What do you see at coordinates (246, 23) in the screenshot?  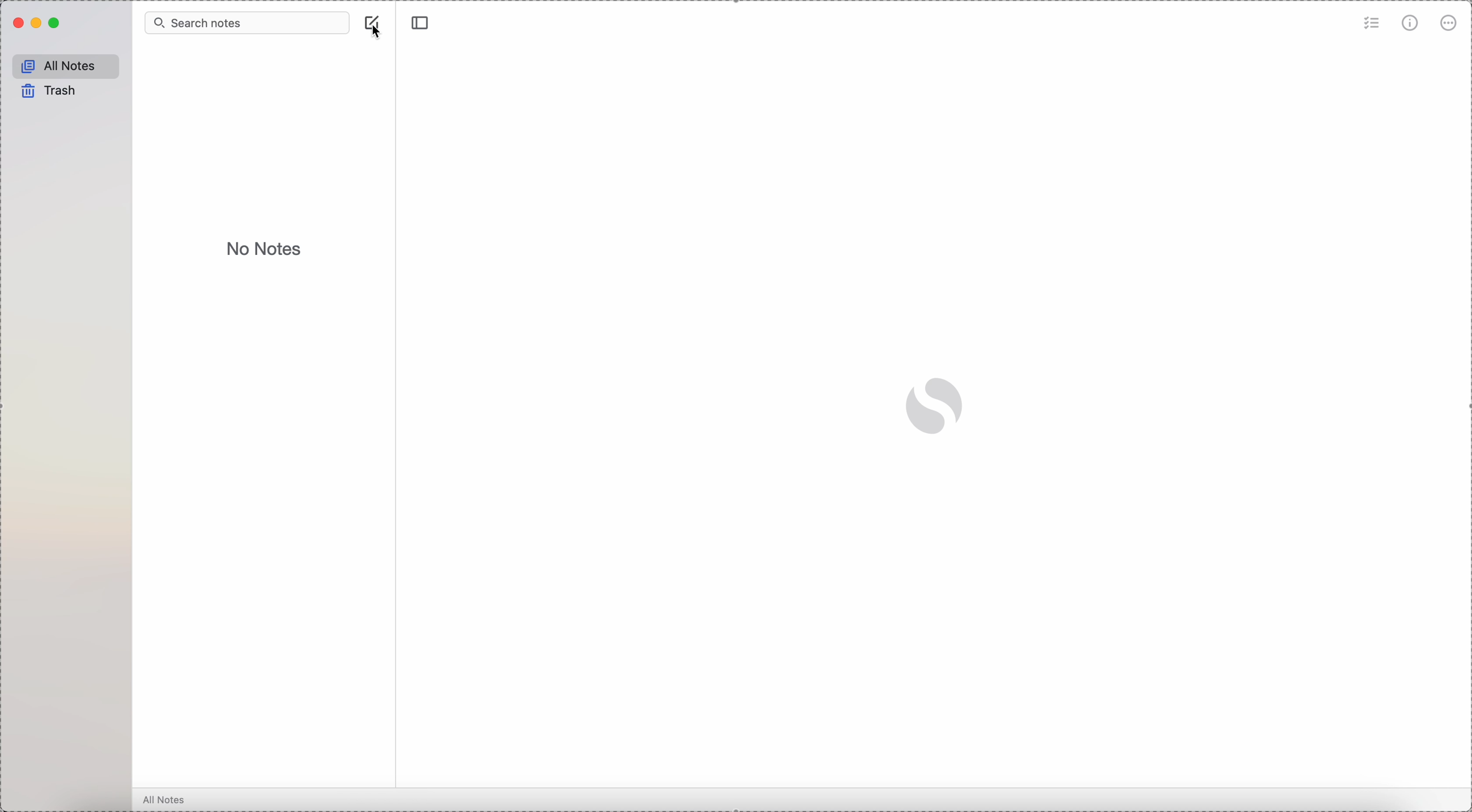 I see `search bar` at bounding box center [246, 23].